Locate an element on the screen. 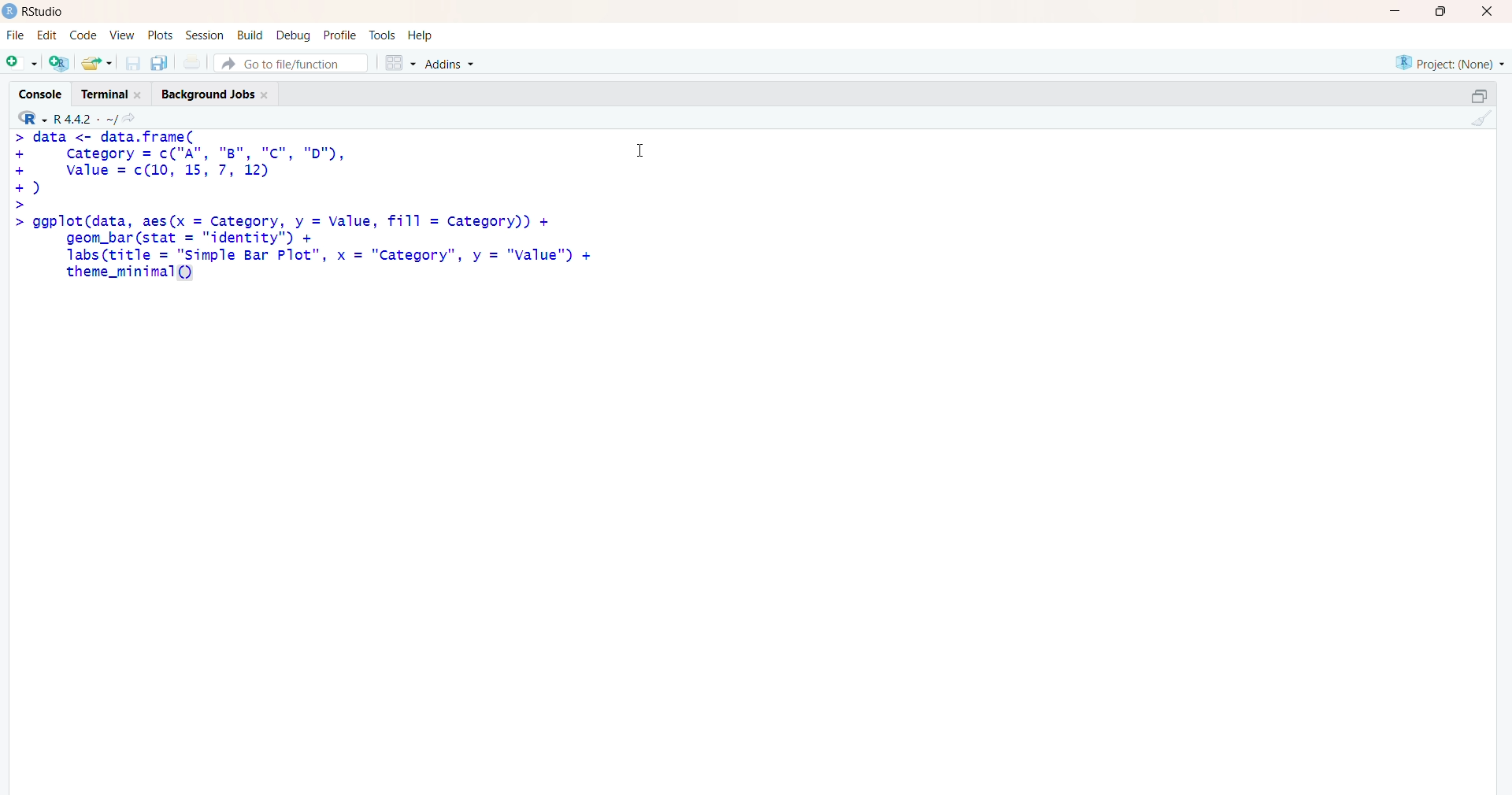 Image resolution: width=1512 pixels, height=795 pixels. open an existing file is located at coordinates (96, 62).